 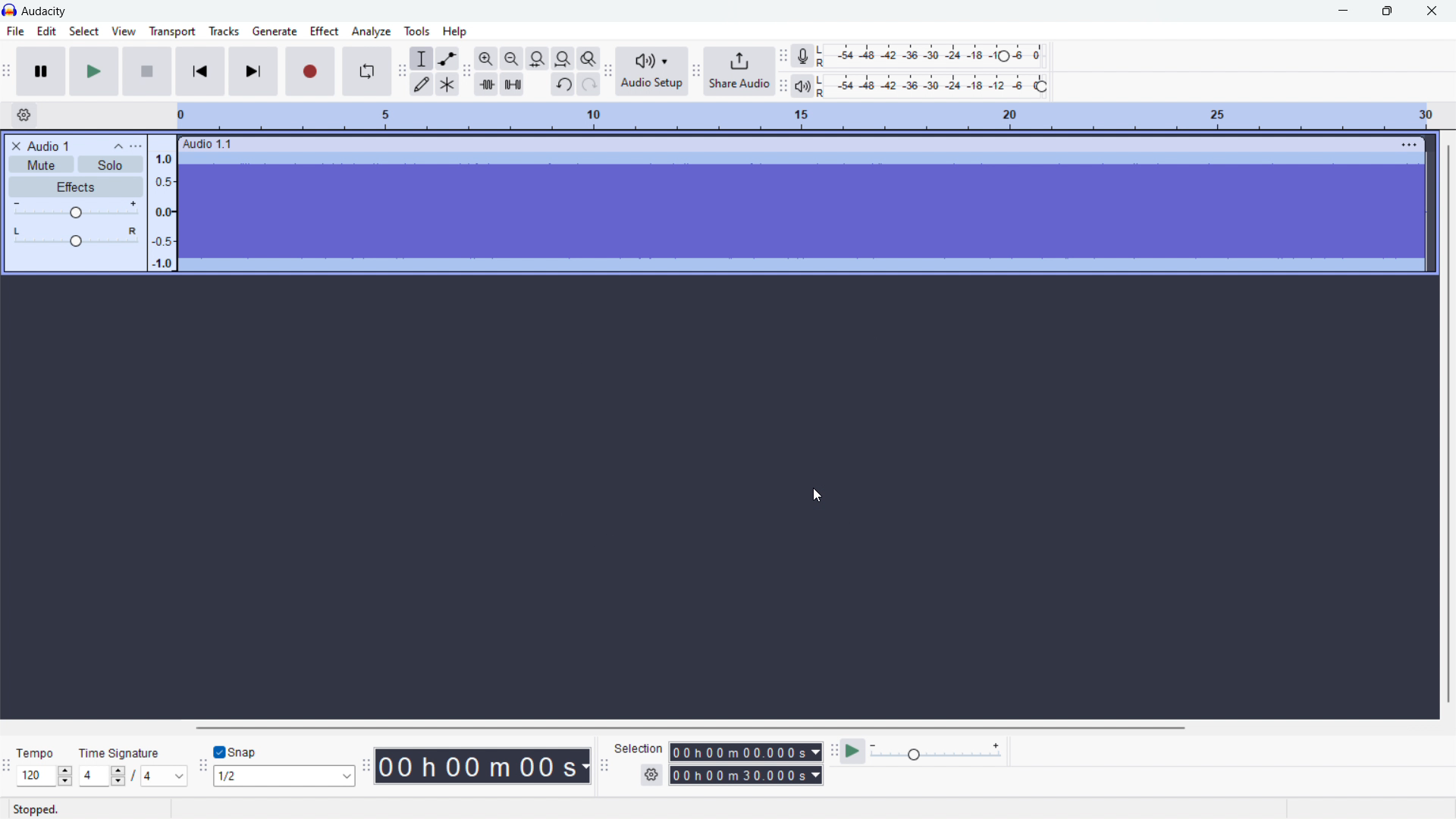 I want to click on play at speed toolbar, so click(x=834, y=750).